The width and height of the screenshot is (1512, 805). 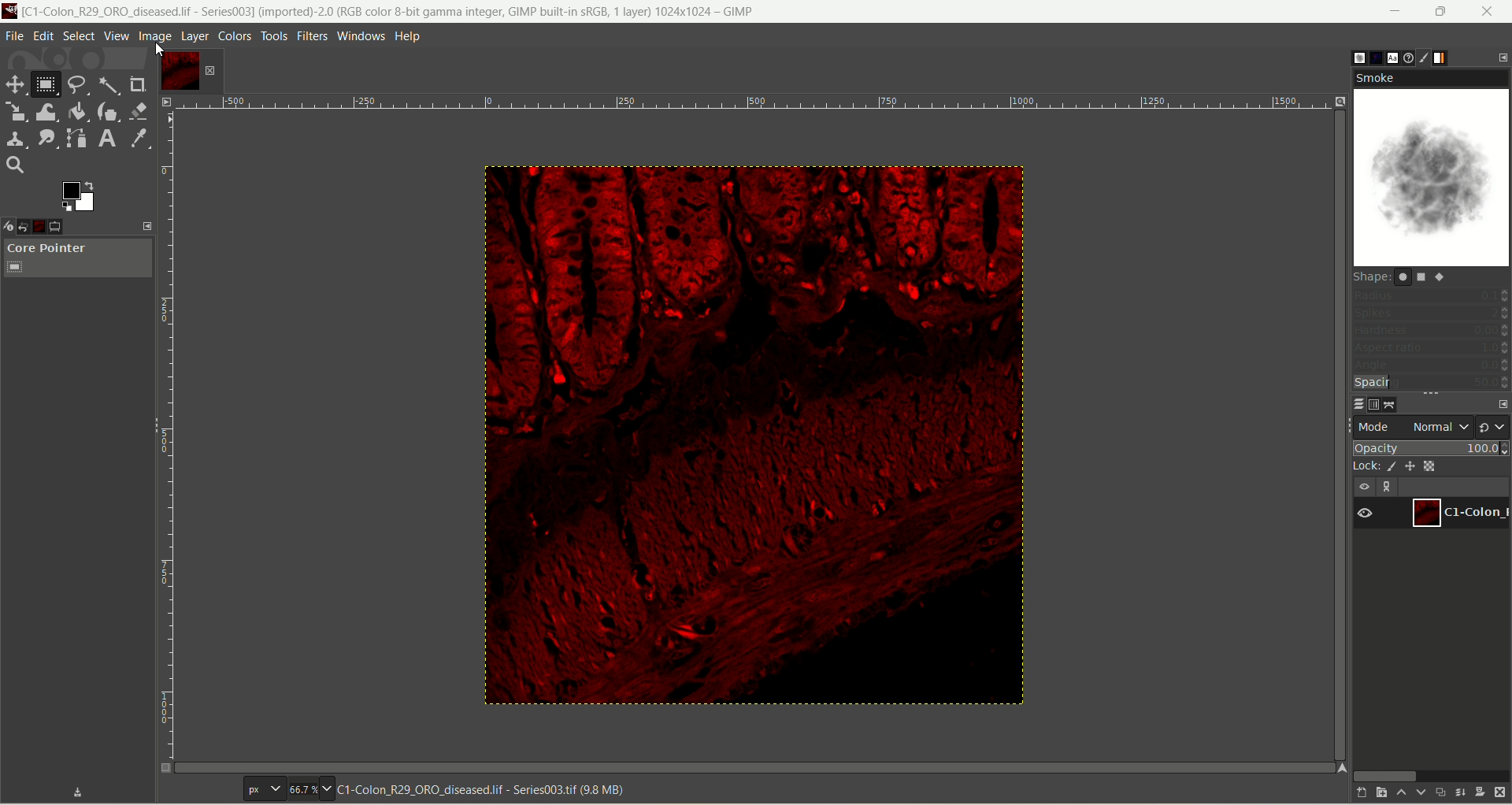 I want to click on spacing, so click(x=1431, y=383).